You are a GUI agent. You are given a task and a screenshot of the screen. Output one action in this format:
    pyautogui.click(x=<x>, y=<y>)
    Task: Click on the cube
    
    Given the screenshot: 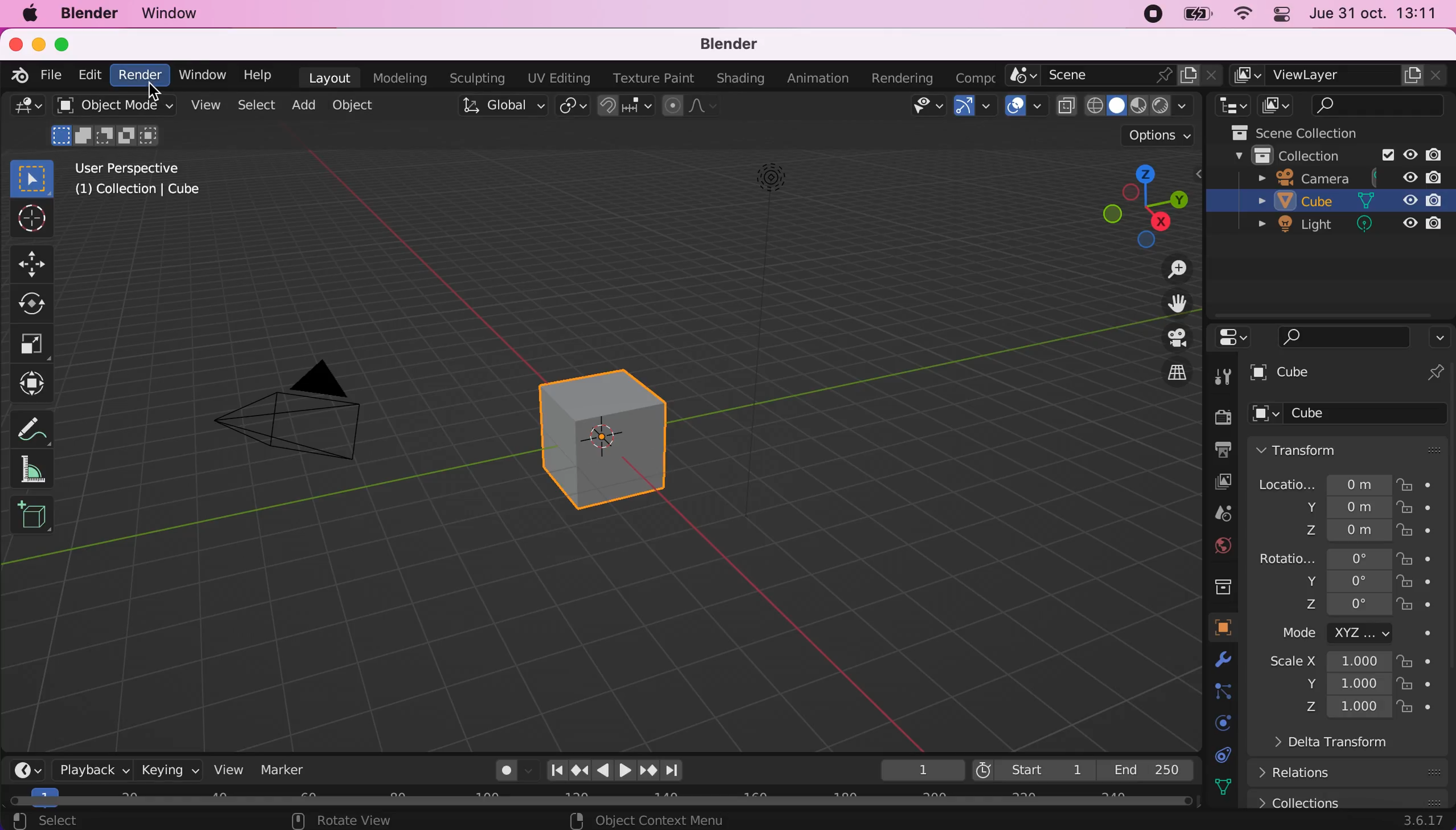 What is the action you would take?
    pyautogui.click(x=1351, y=374)
    